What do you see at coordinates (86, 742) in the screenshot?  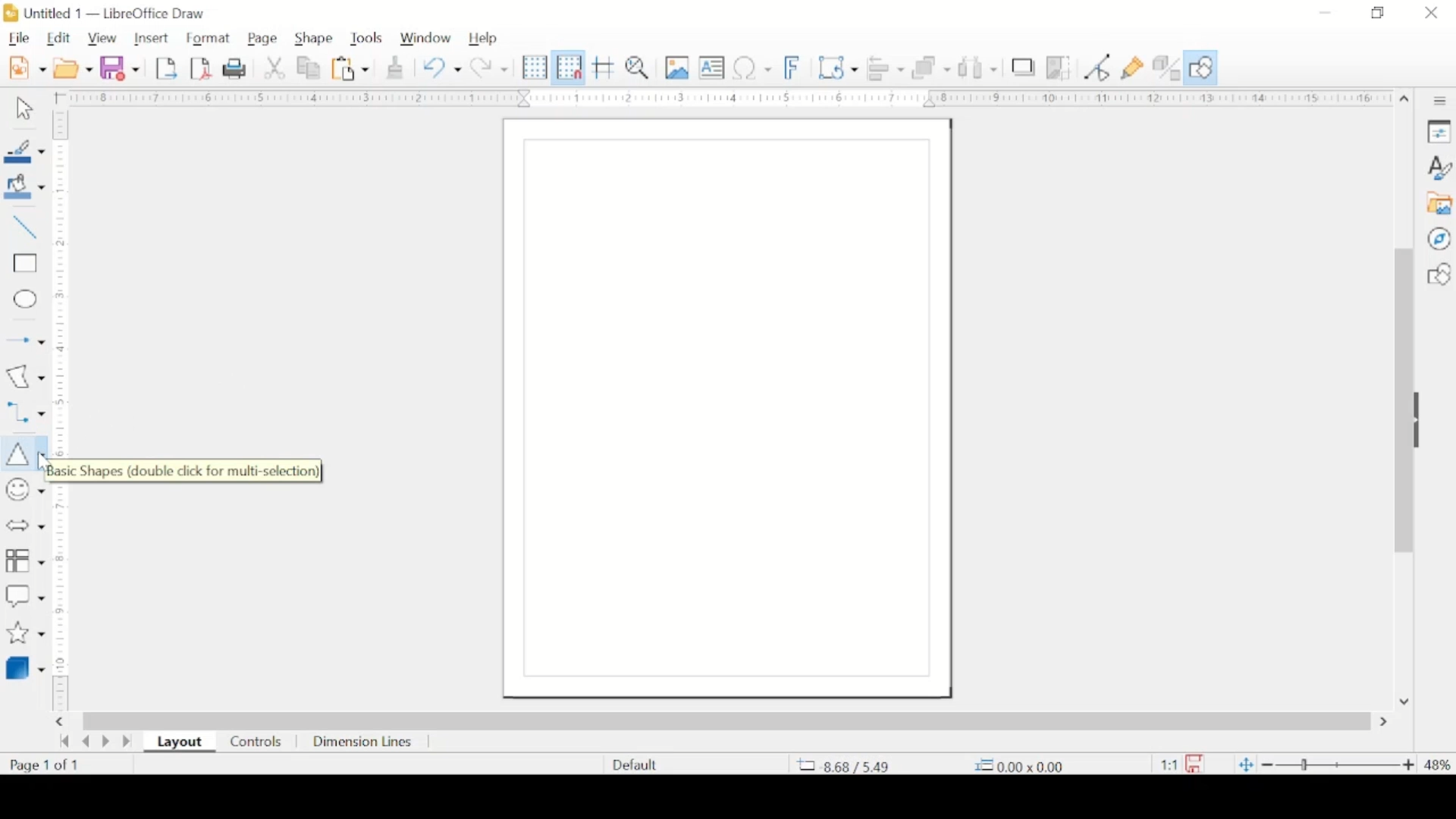 I see `previous page` at bounding box center [86, 742].